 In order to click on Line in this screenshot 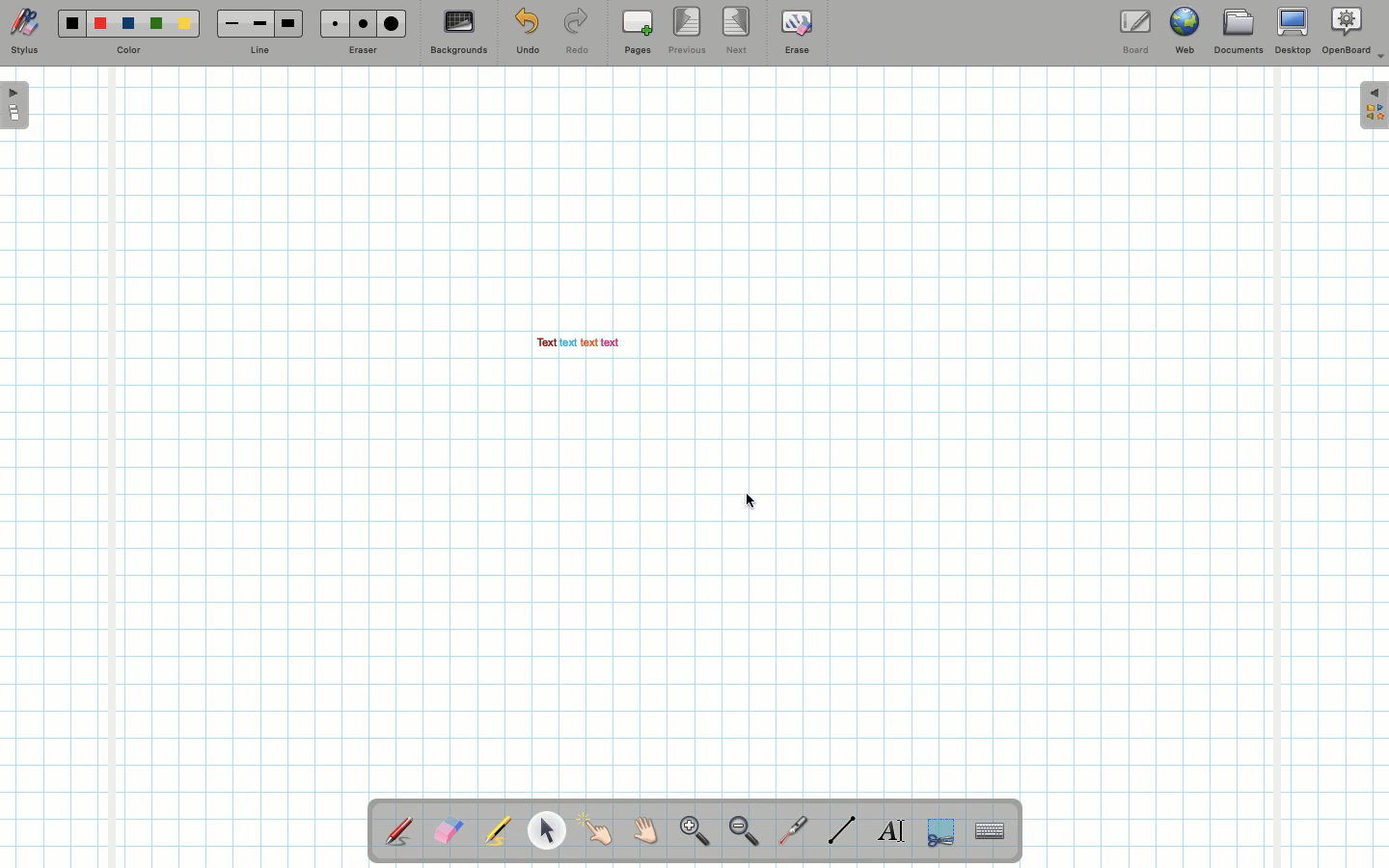, I will do `click(842, 829)`.